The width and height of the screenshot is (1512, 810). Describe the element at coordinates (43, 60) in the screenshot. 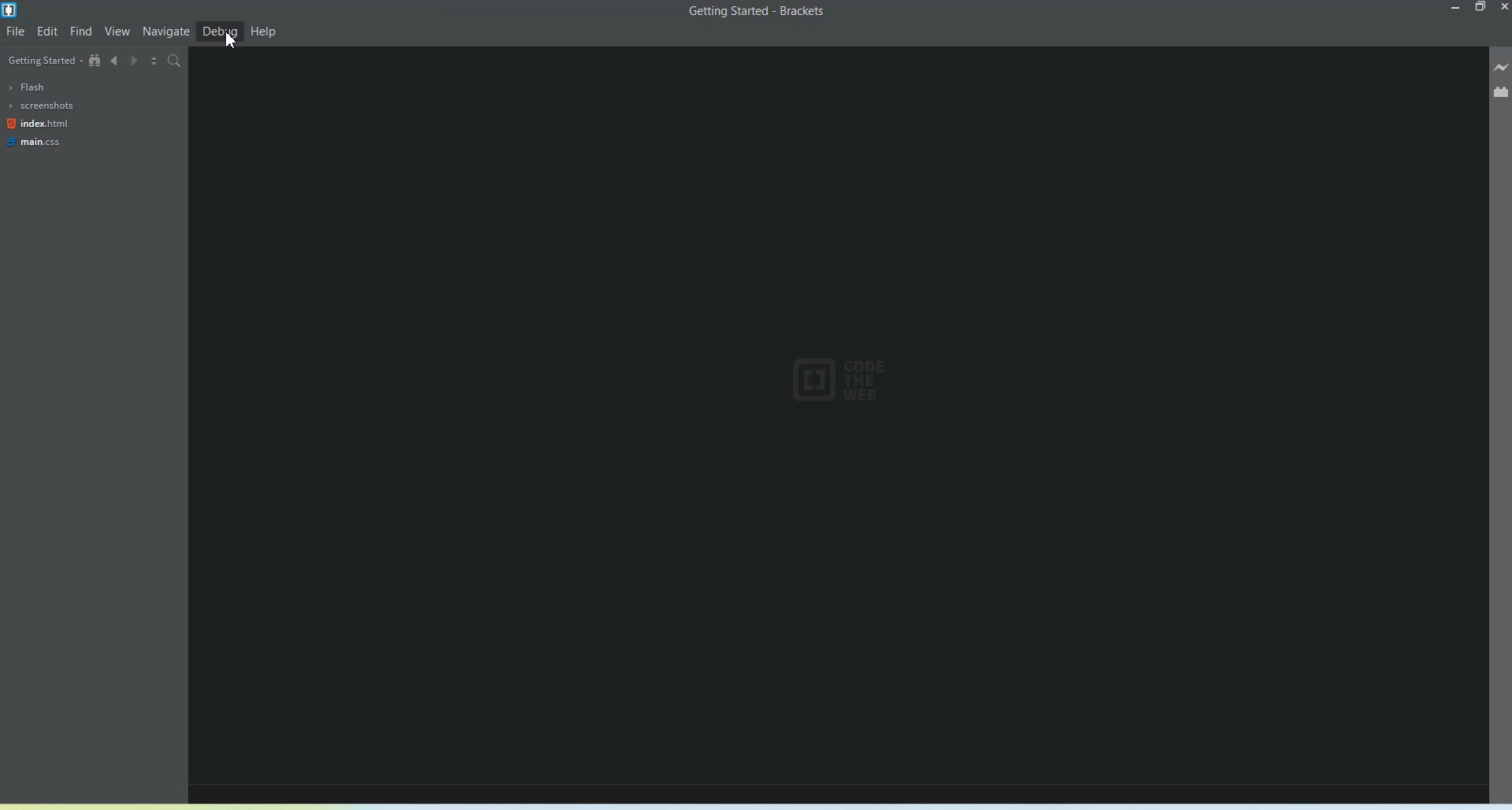

I see `Getting Started` at that location.